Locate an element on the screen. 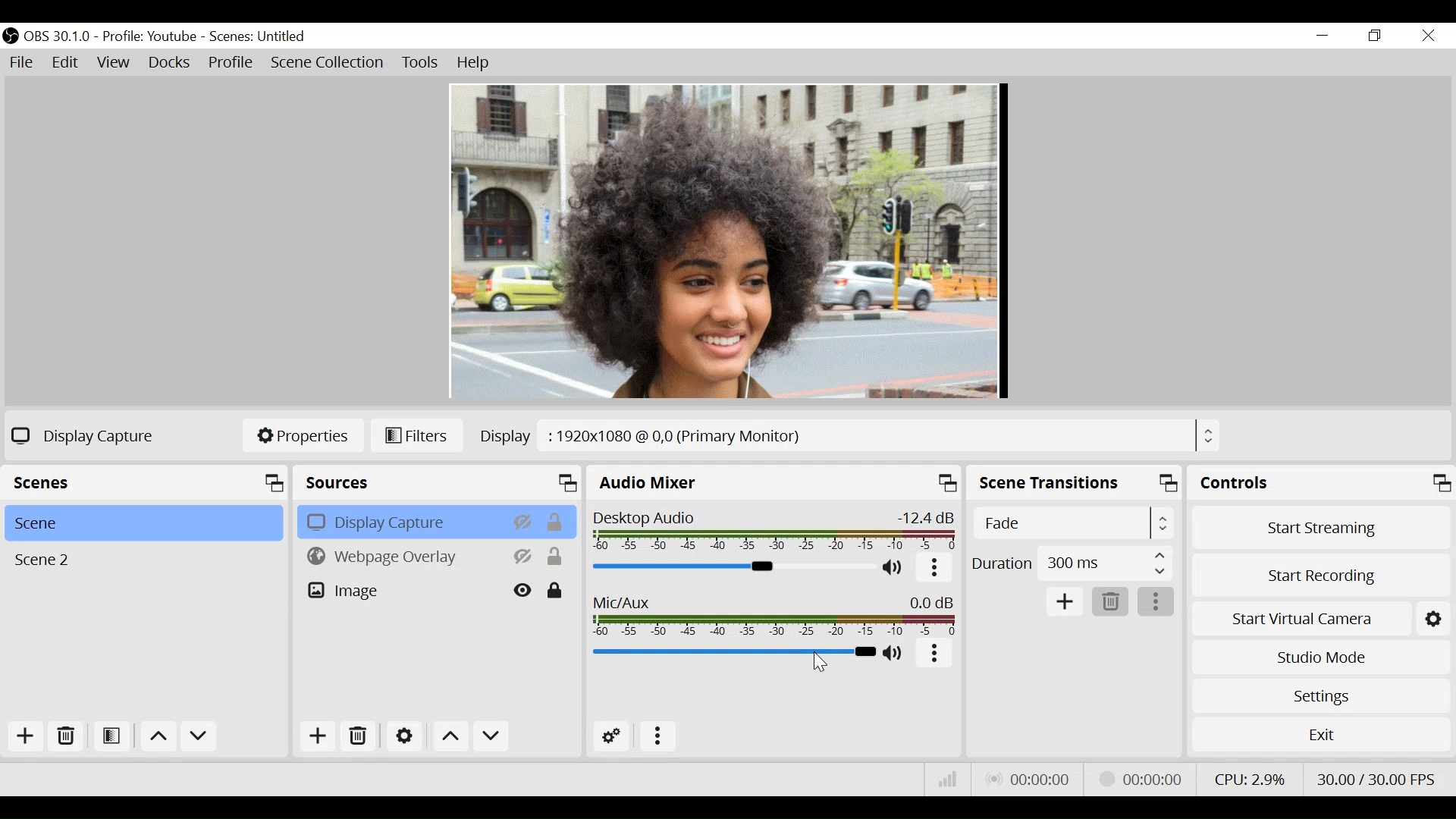 The height and width of the screenshot is (819, 1456). (un)lock is located at coordinates (558, 522).